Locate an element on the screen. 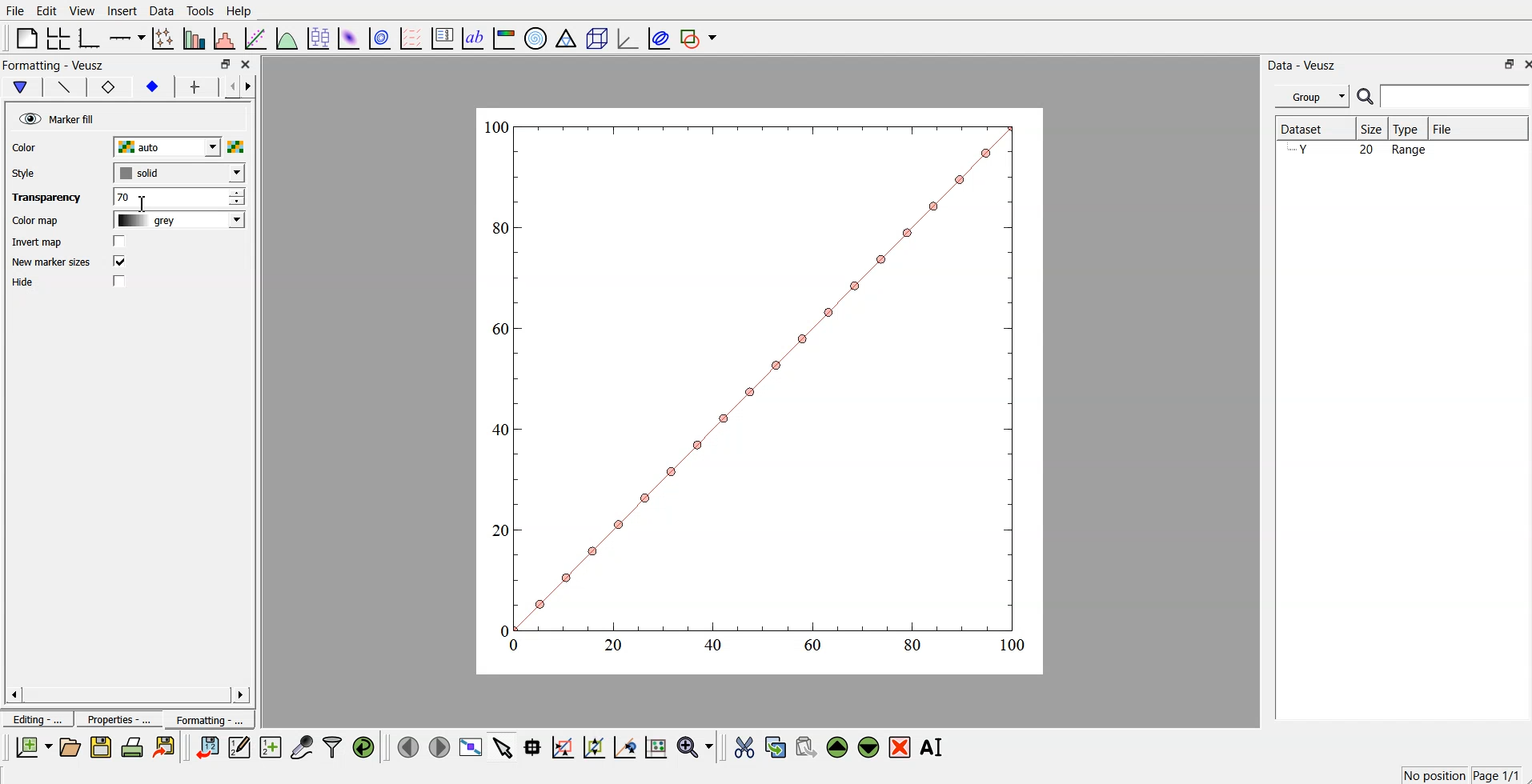  image color bar is located at coordinates (505, 37).